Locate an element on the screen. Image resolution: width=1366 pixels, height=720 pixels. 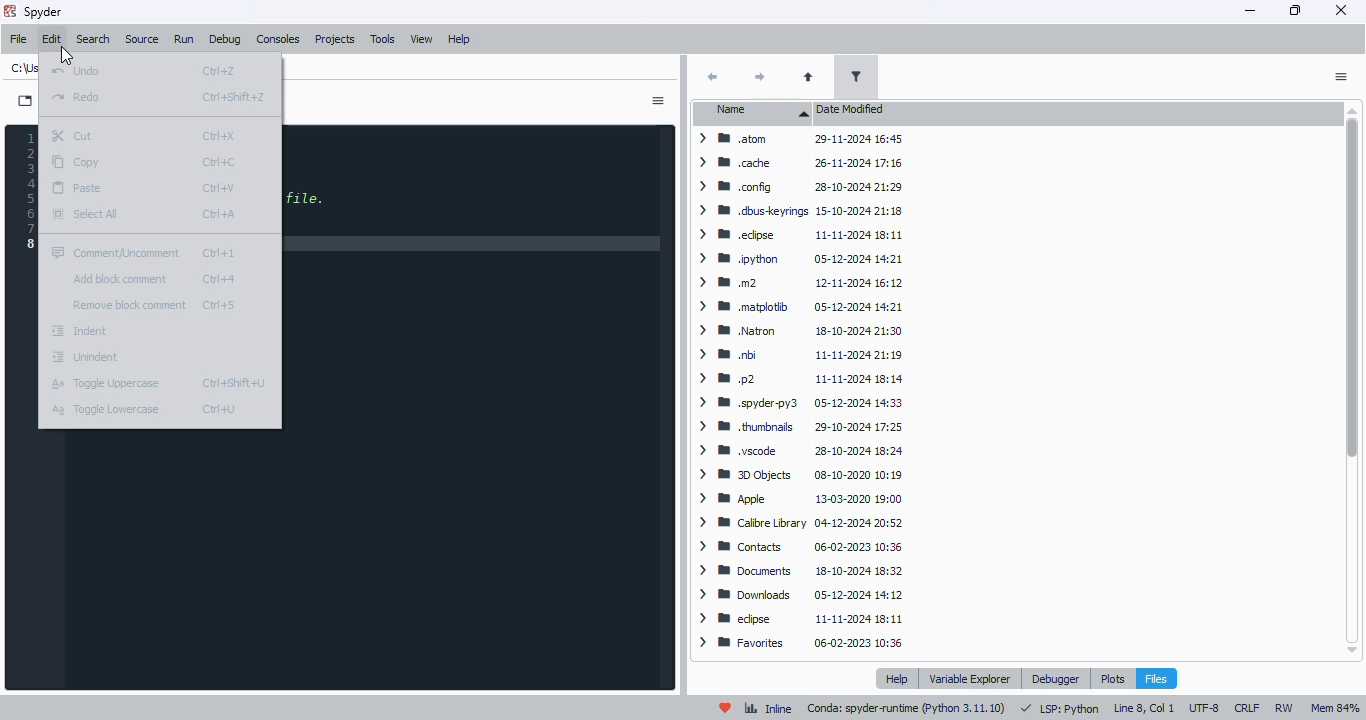
shortcut for add block comment is located at coordinates (219, 279).